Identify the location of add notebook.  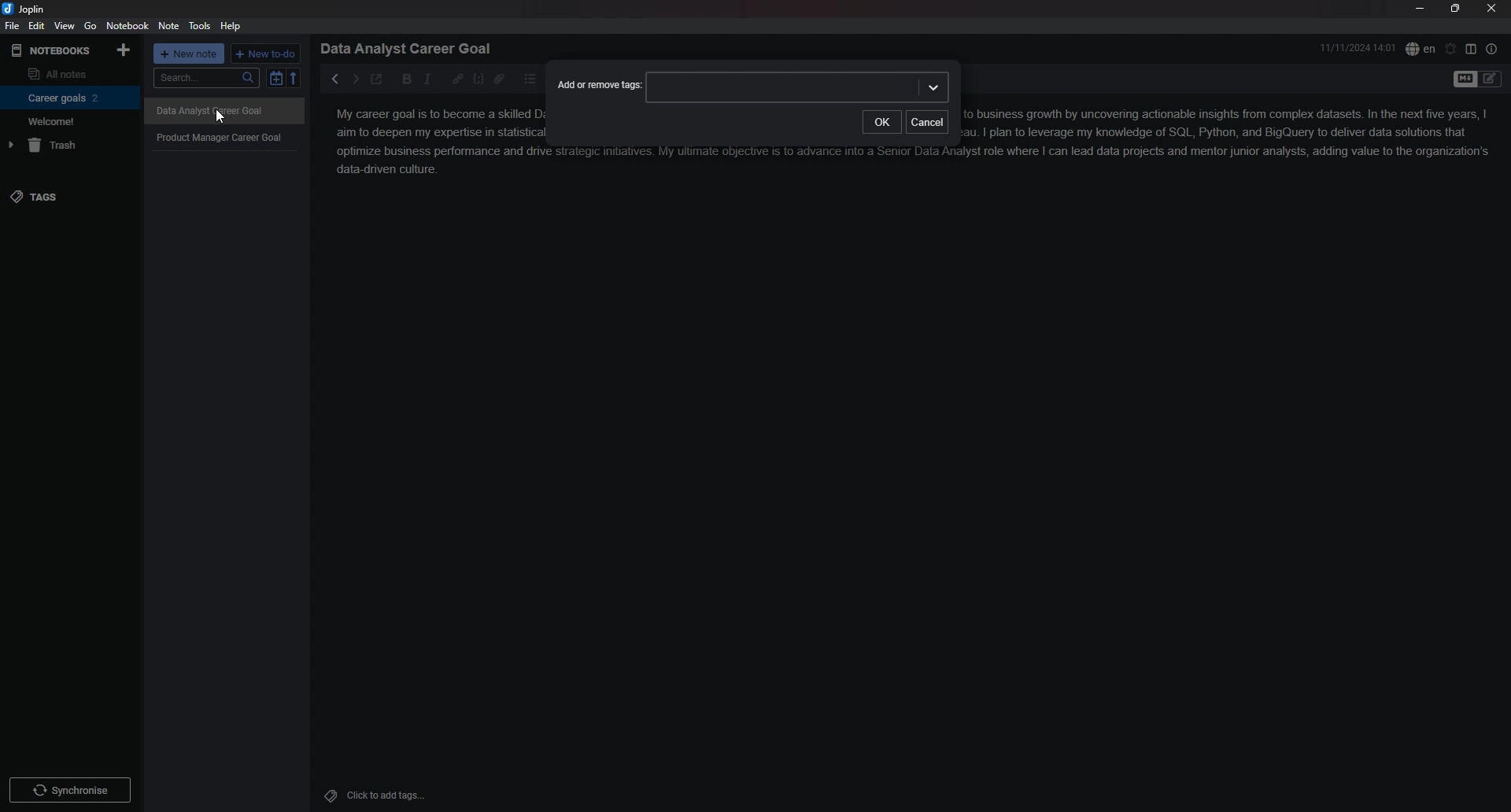
(125, 50).